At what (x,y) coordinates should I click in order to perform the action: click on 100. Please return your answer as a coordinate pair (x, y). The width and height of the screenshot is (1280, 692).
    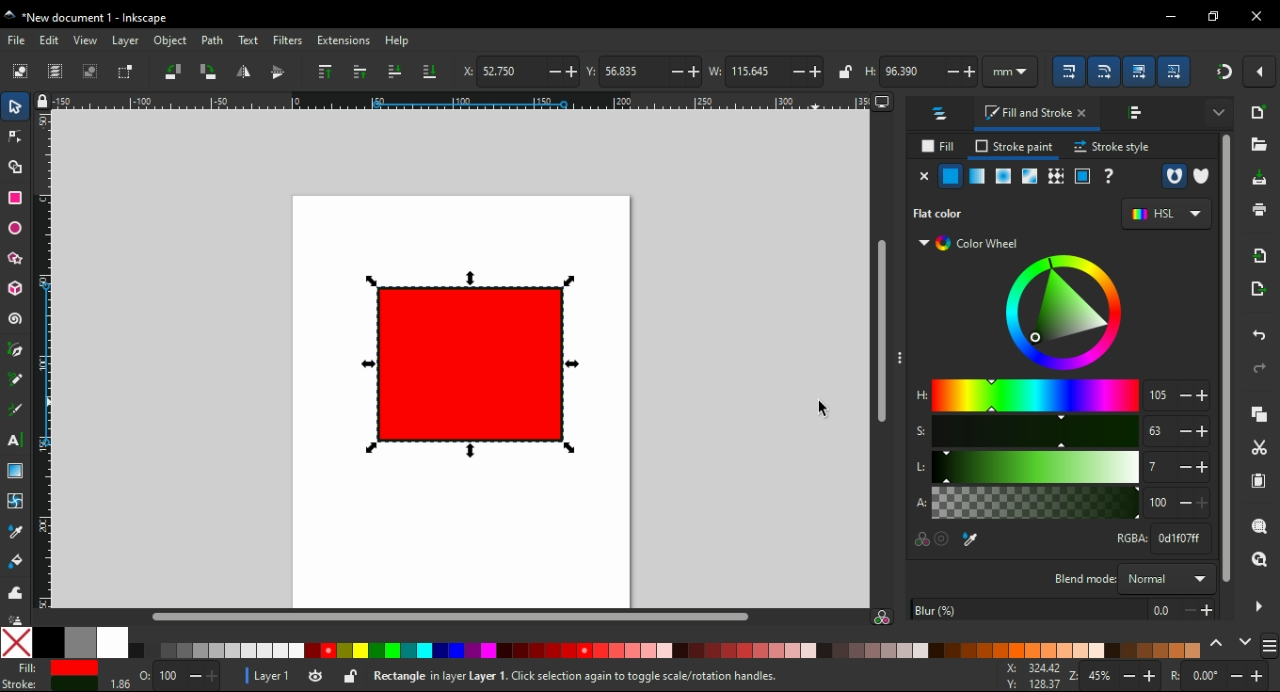
    Looking at the image, I should click on (170, 676).